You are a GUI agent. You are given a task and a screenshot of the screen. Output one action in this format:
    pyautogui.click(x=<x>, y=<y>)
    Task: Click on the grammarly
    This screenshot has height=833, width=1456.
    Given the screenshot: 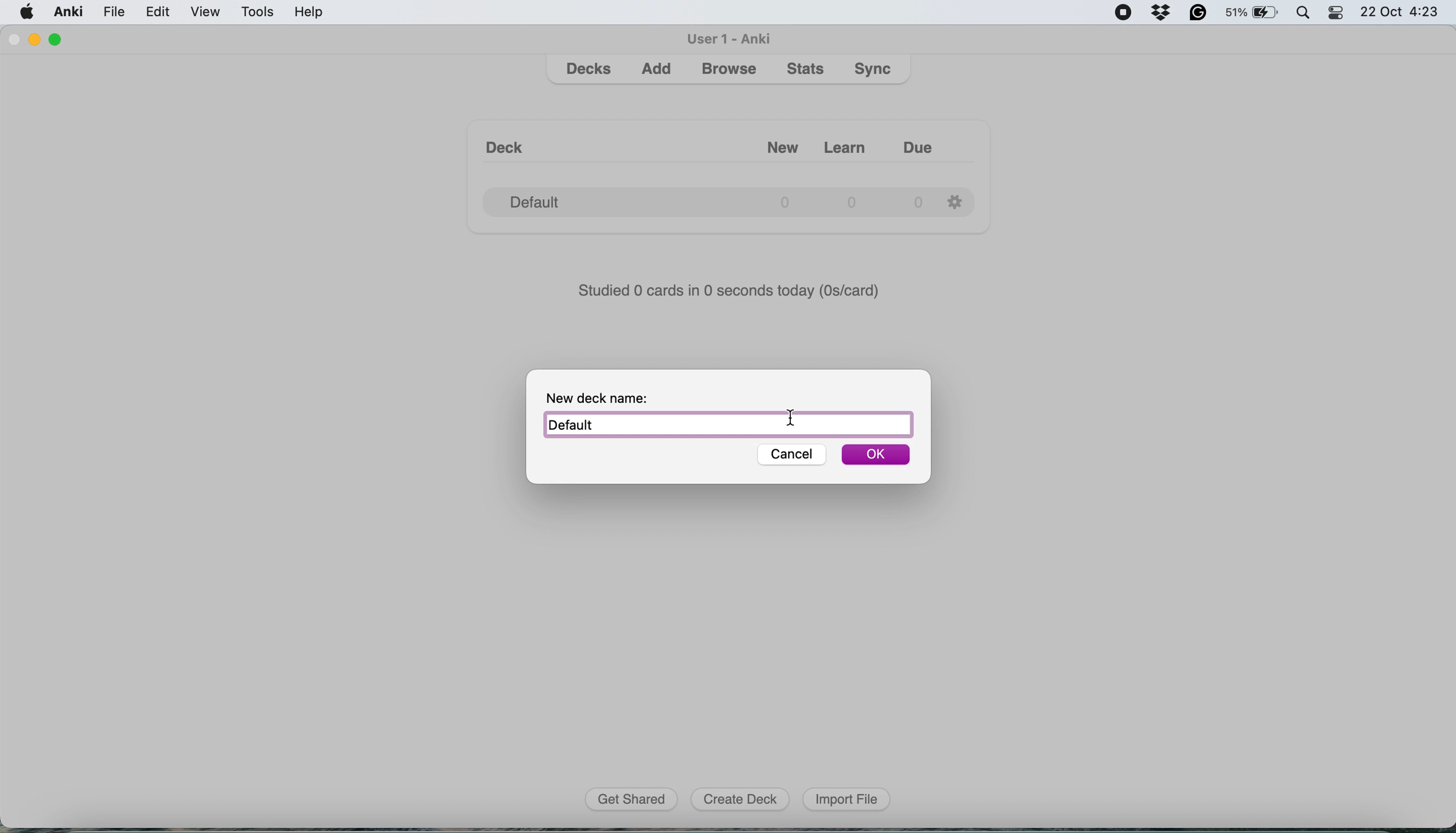 What is the action you would take?
    pyautogui.click(x=1198, y=14)
    